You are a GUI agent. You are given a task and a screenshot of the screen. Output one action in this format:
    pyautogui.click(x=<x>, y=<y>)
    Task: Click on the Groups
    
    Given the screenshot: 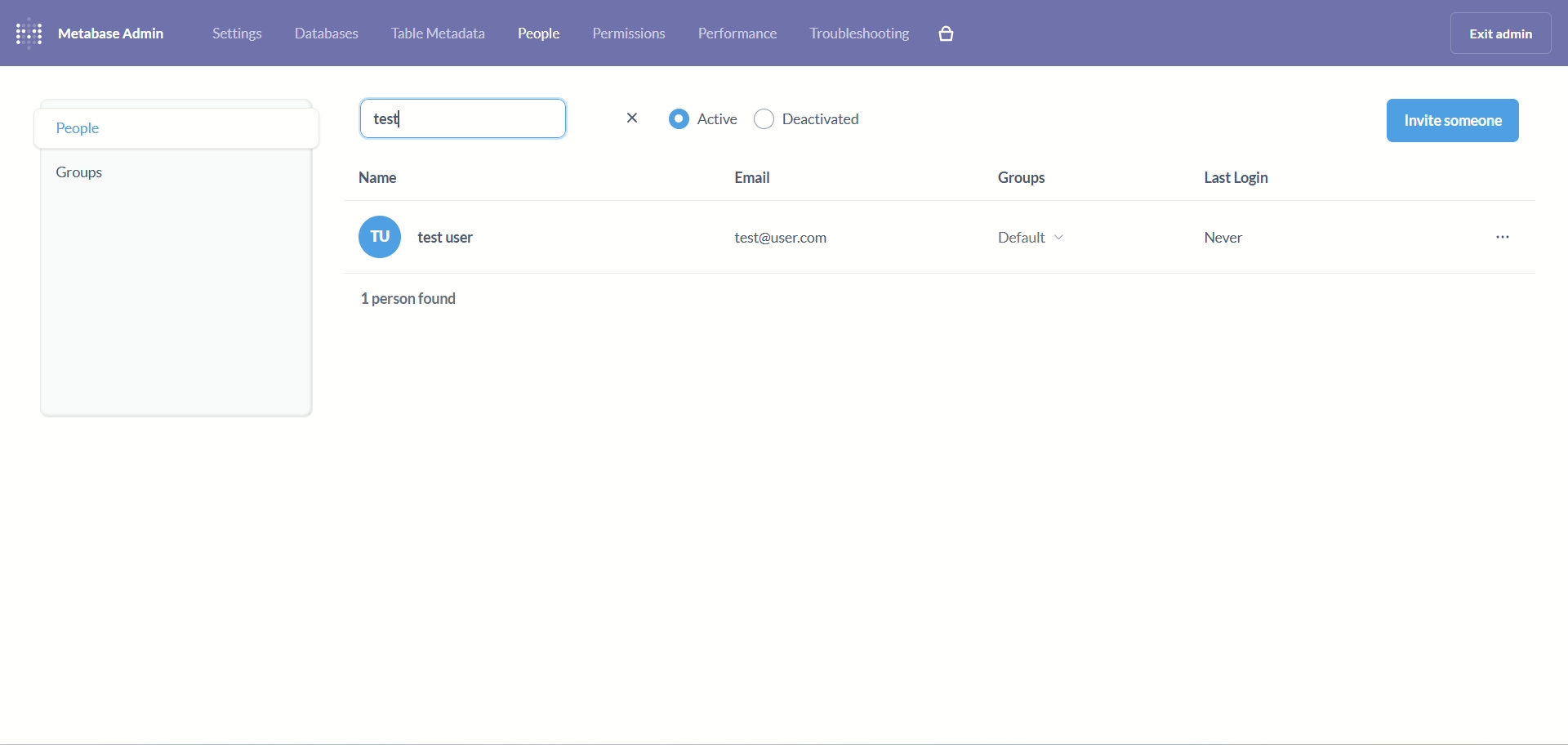 What is the action you would take?
    pyautogui.click(x=173, y=173)
    